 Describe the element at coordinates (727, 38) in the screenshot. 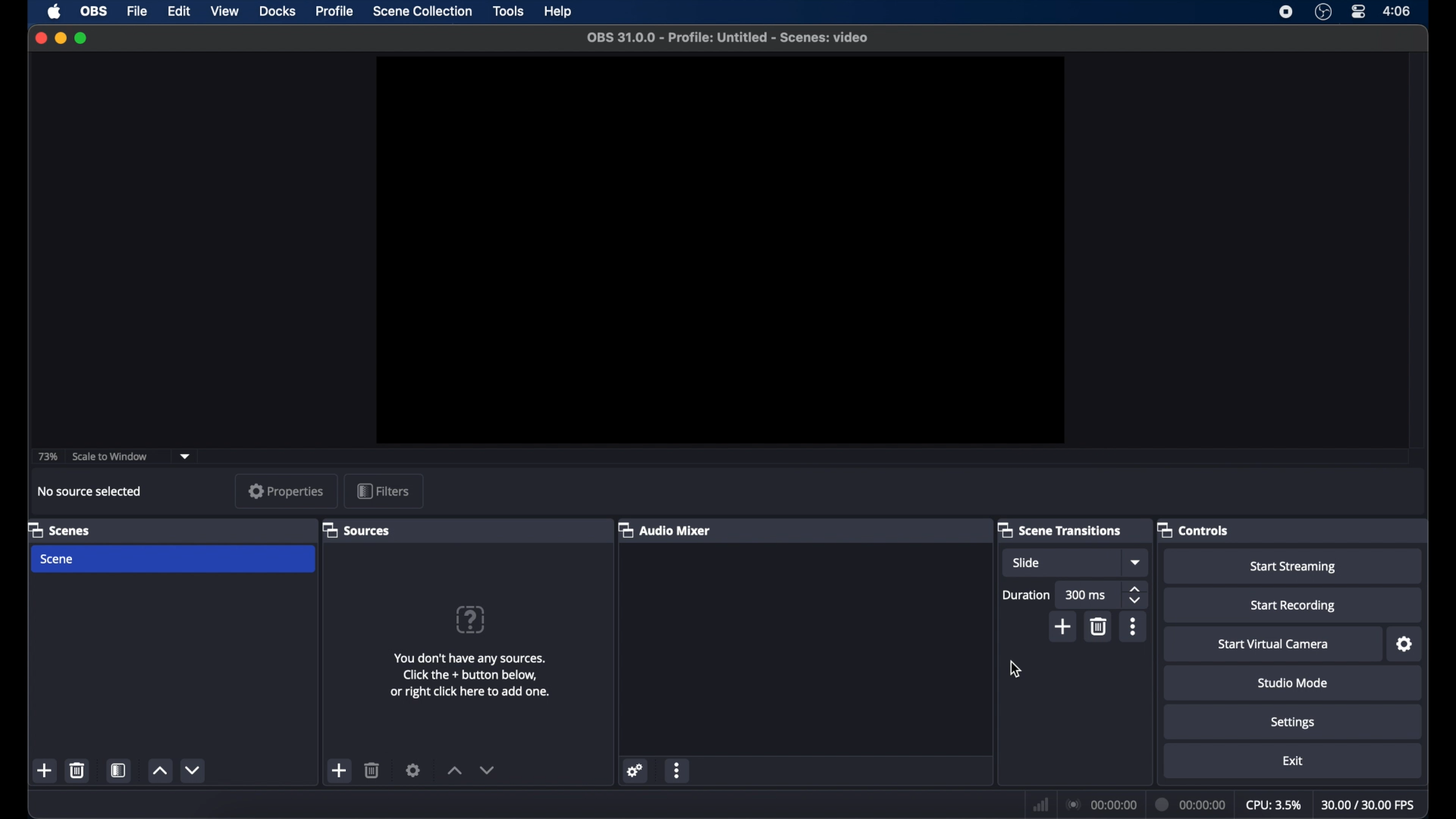

I see `file name` at that location.